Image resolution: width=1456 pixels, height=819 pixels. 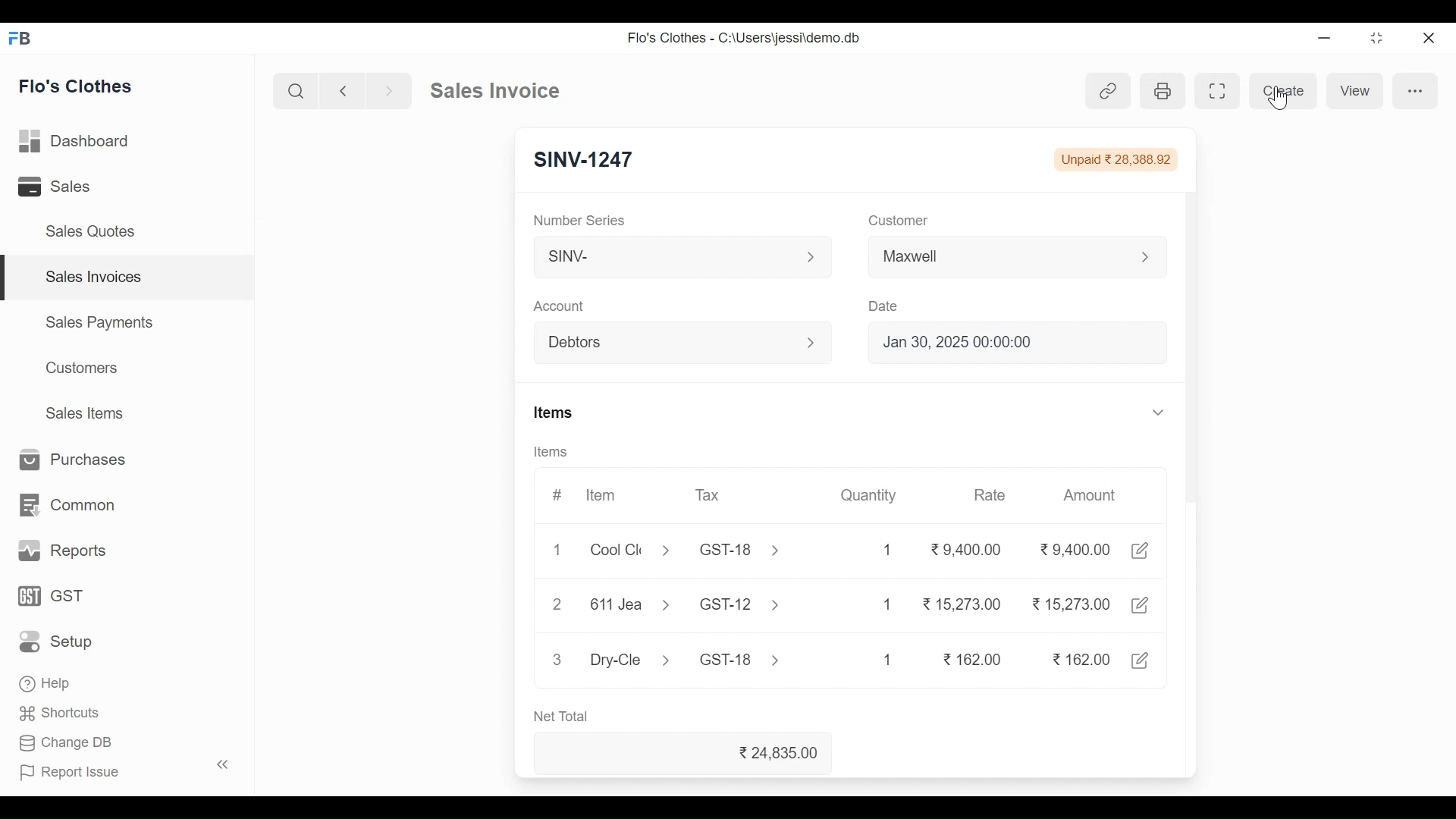 What do you see at coordinates (669, 257) in the screenshot?
I see `SINV-` at bounding box center [669, 257].